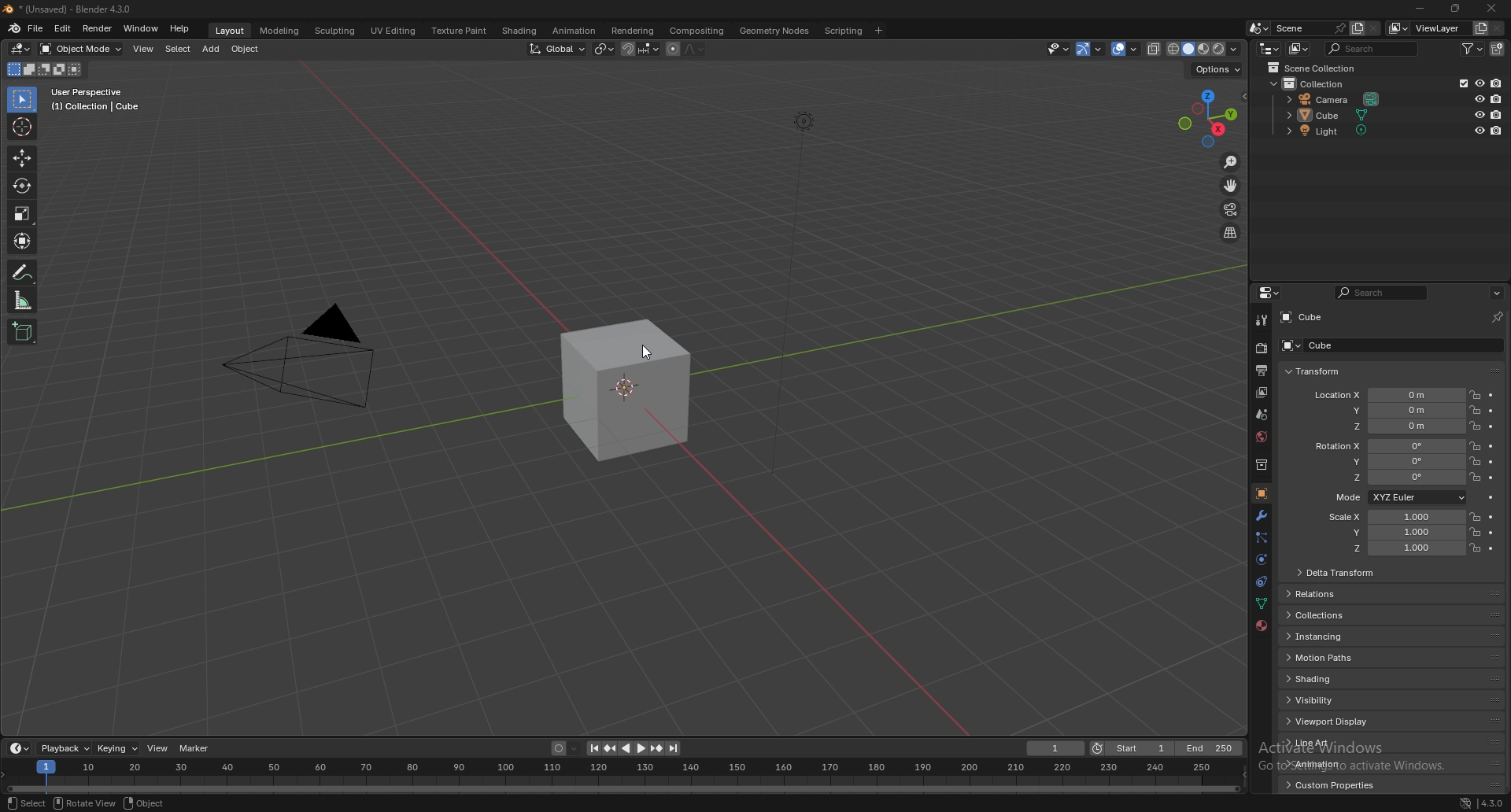 This screenshot has height=812, width=1511. Describe the element at coordinates (842, 31) in the screenshot. I see `scripting` at that location.